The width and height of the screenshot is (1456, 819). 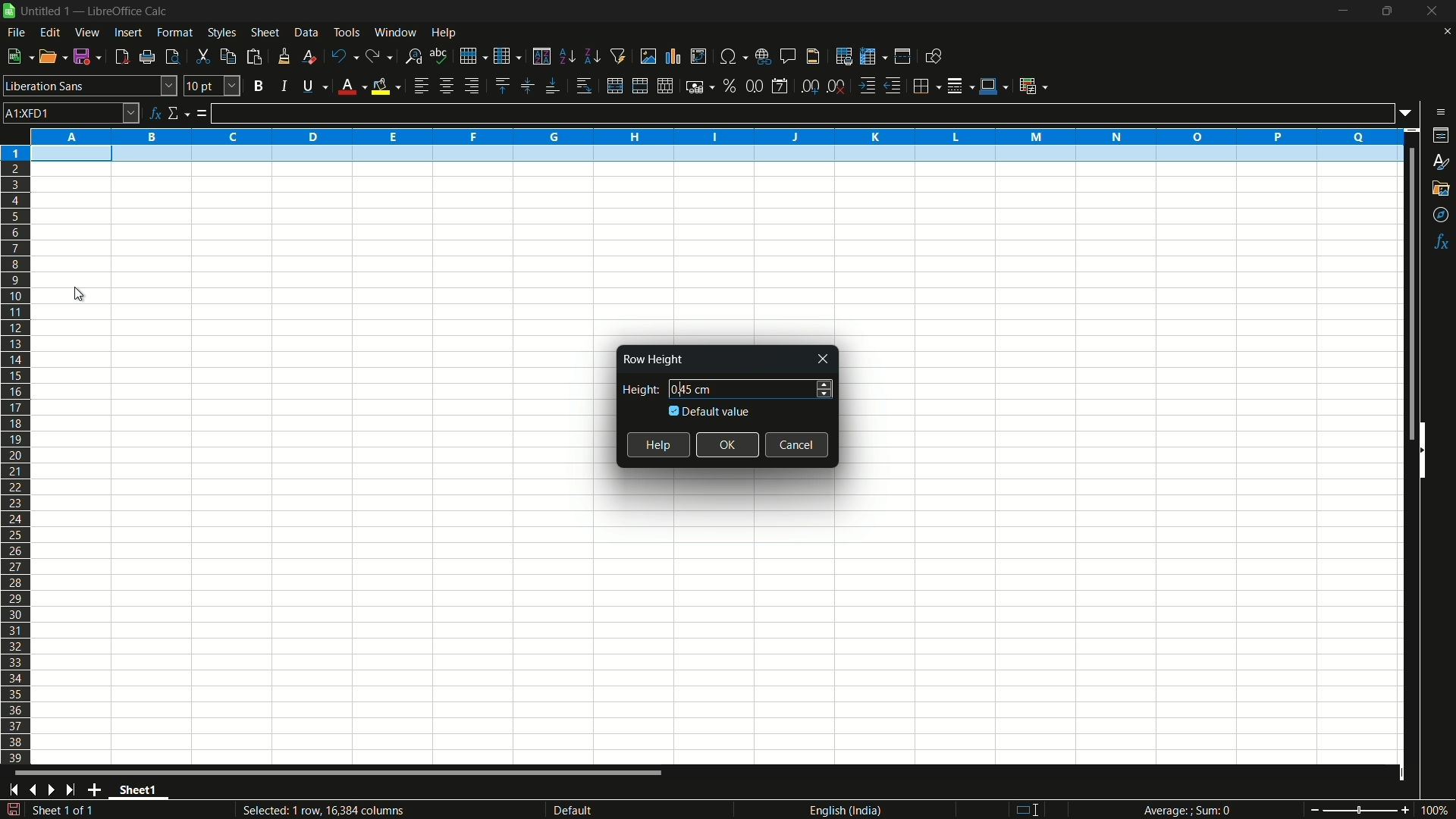 I want to click on ok, so click(x=729, y=444).